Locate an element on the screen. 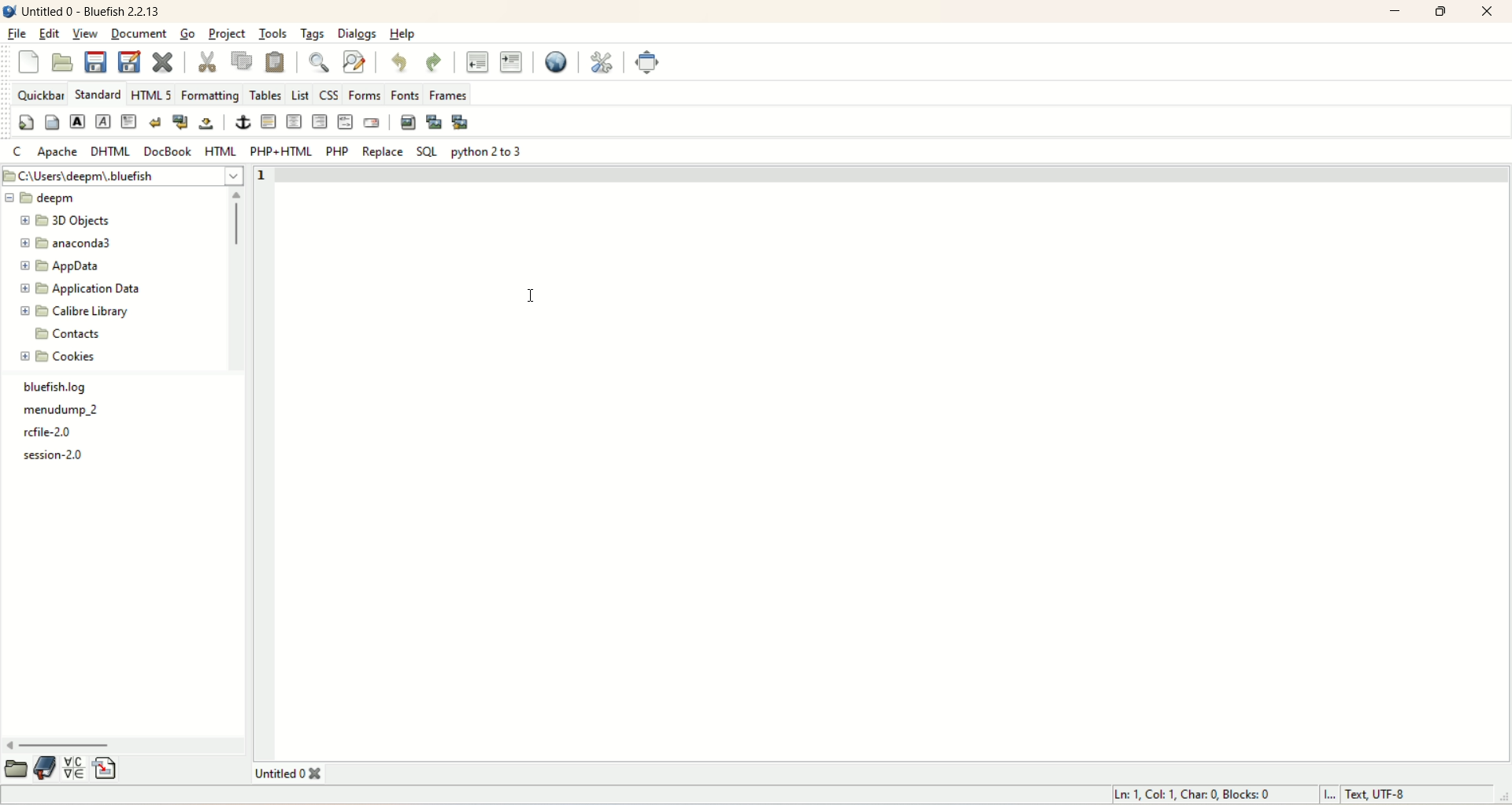 The height and width of the screenshot is (805, 1512). forms is located at coordinates (364, 96).